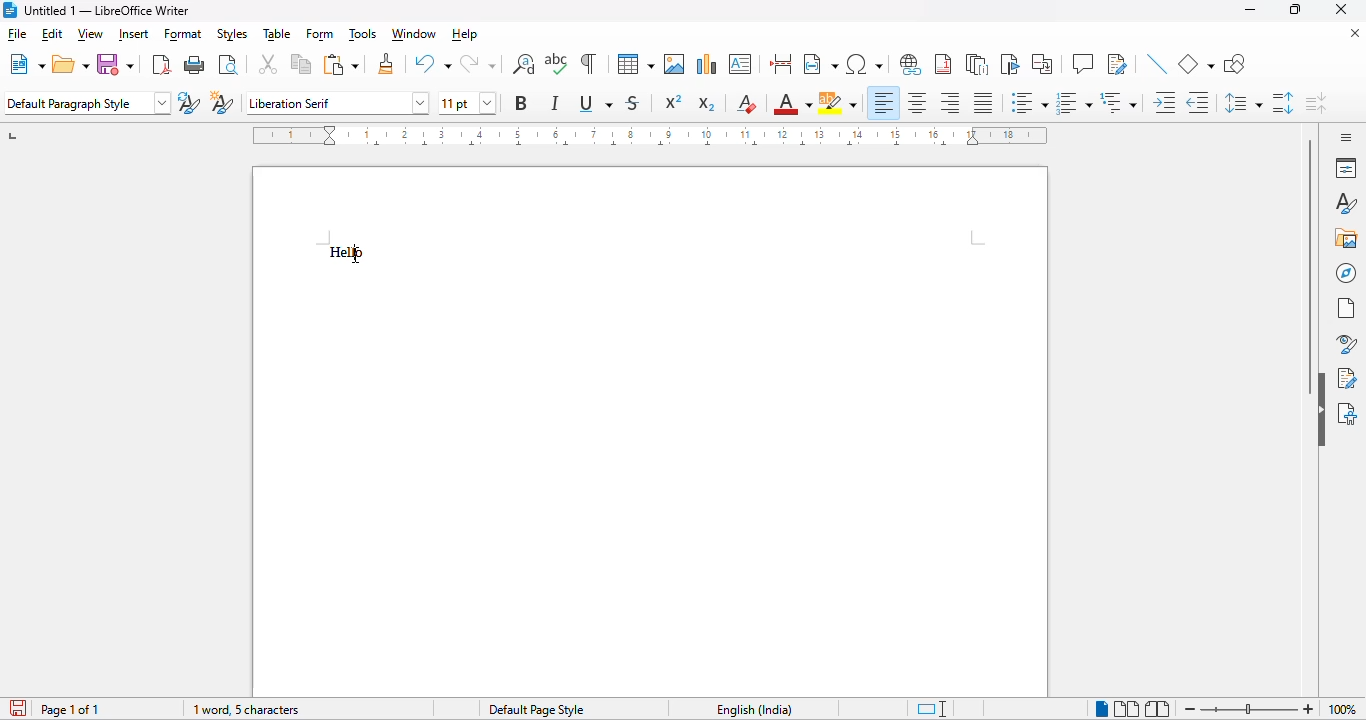 The image size is (1366, 720). Describe the element at coordinates (756, 711) in the screenshot. I see `English(India)` at that location.